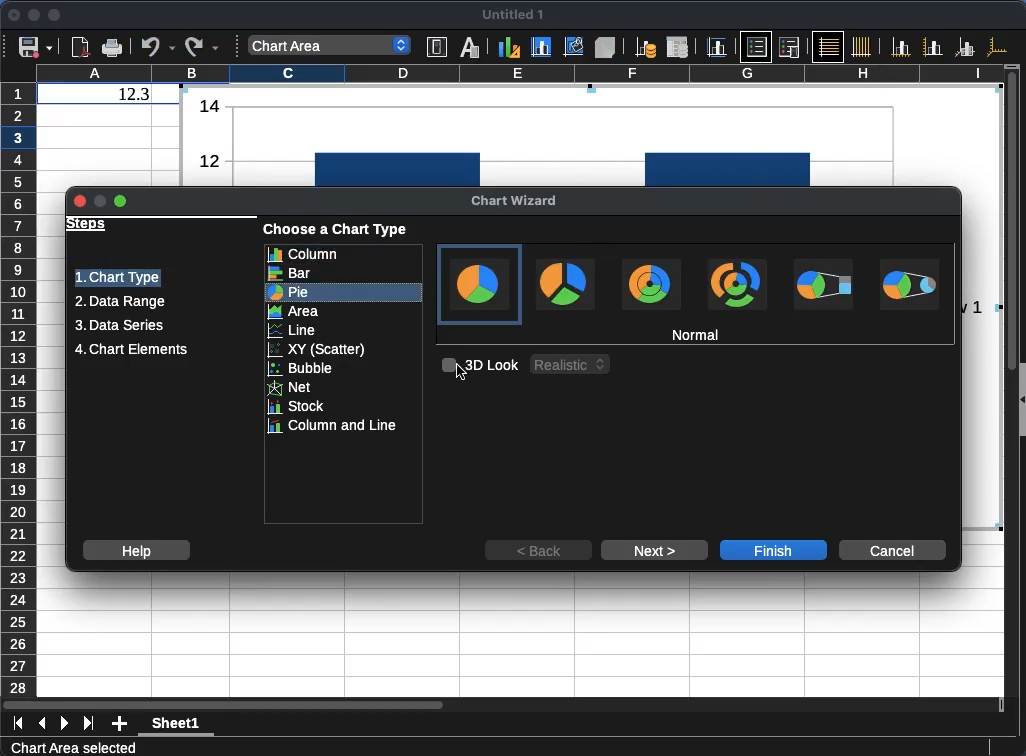  What do you see at coordinates (343, 254) in the screenshot?
I see `column` at bounding box center [343, 254].